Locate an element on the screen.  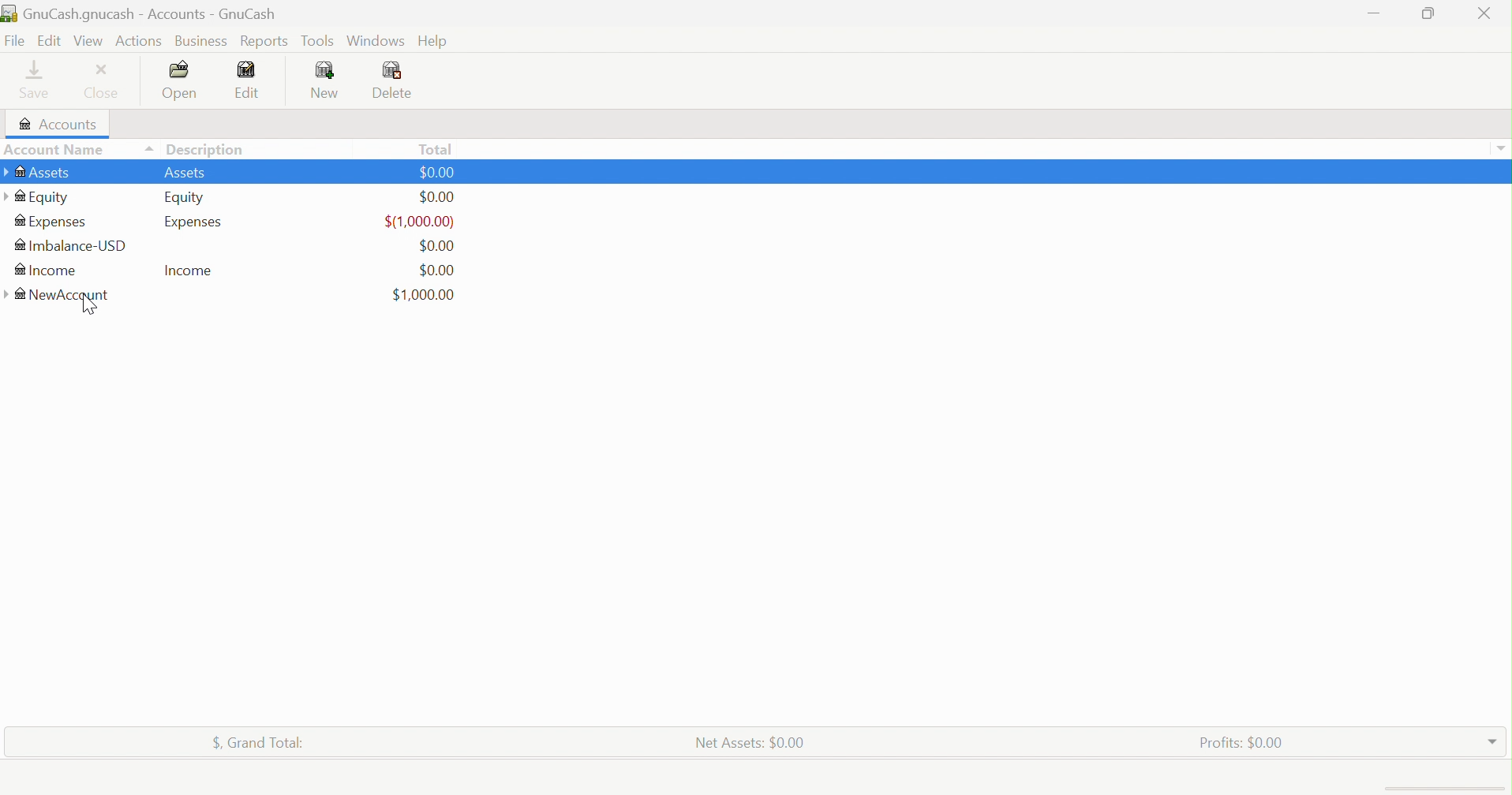
Minimize is located at coordinates (1377, 13).